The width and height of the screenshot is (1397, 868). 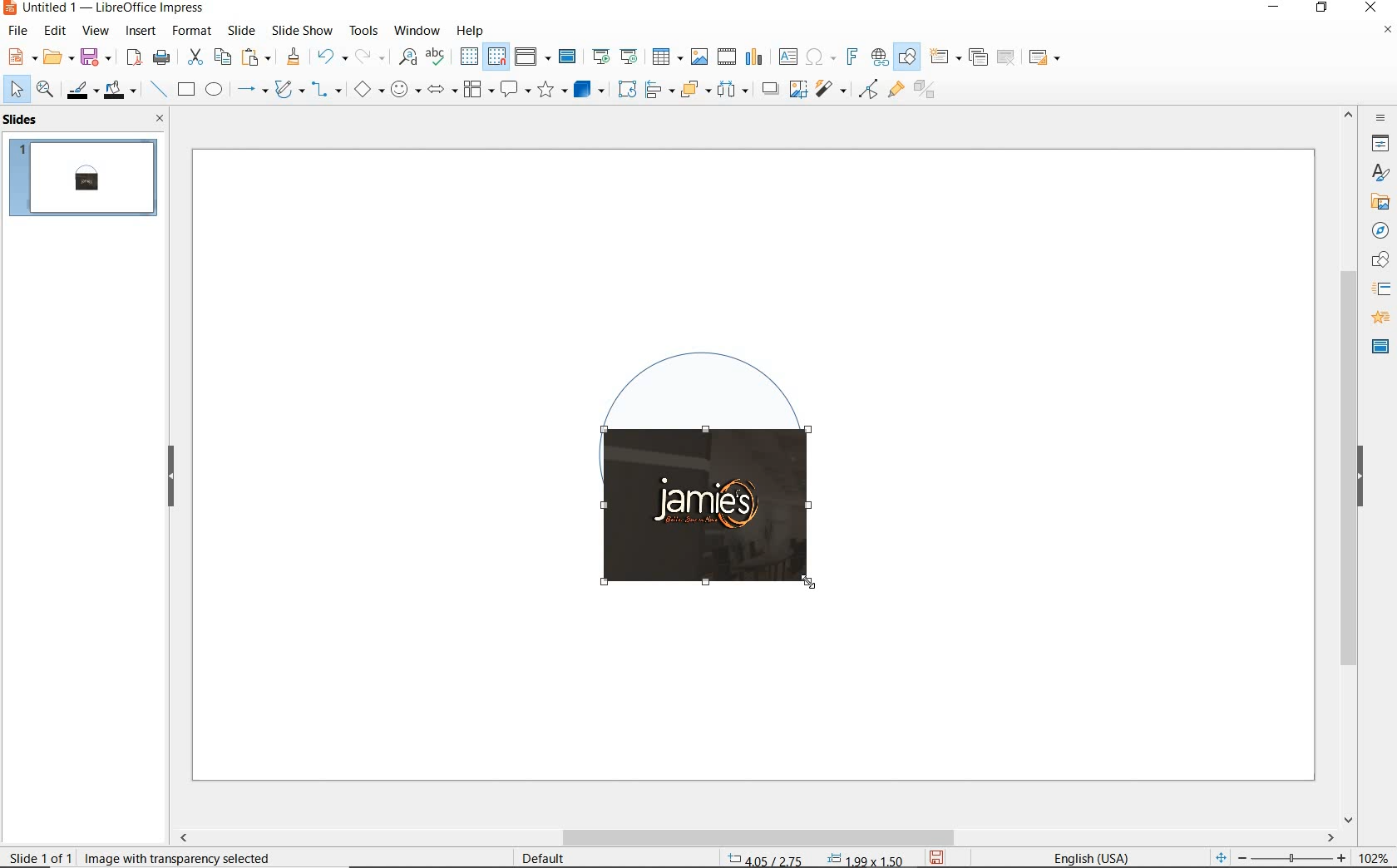 What do you see at coordinates (1378, 318) in the screenshot?
I see `animation` at bounding box center [1378, 318].